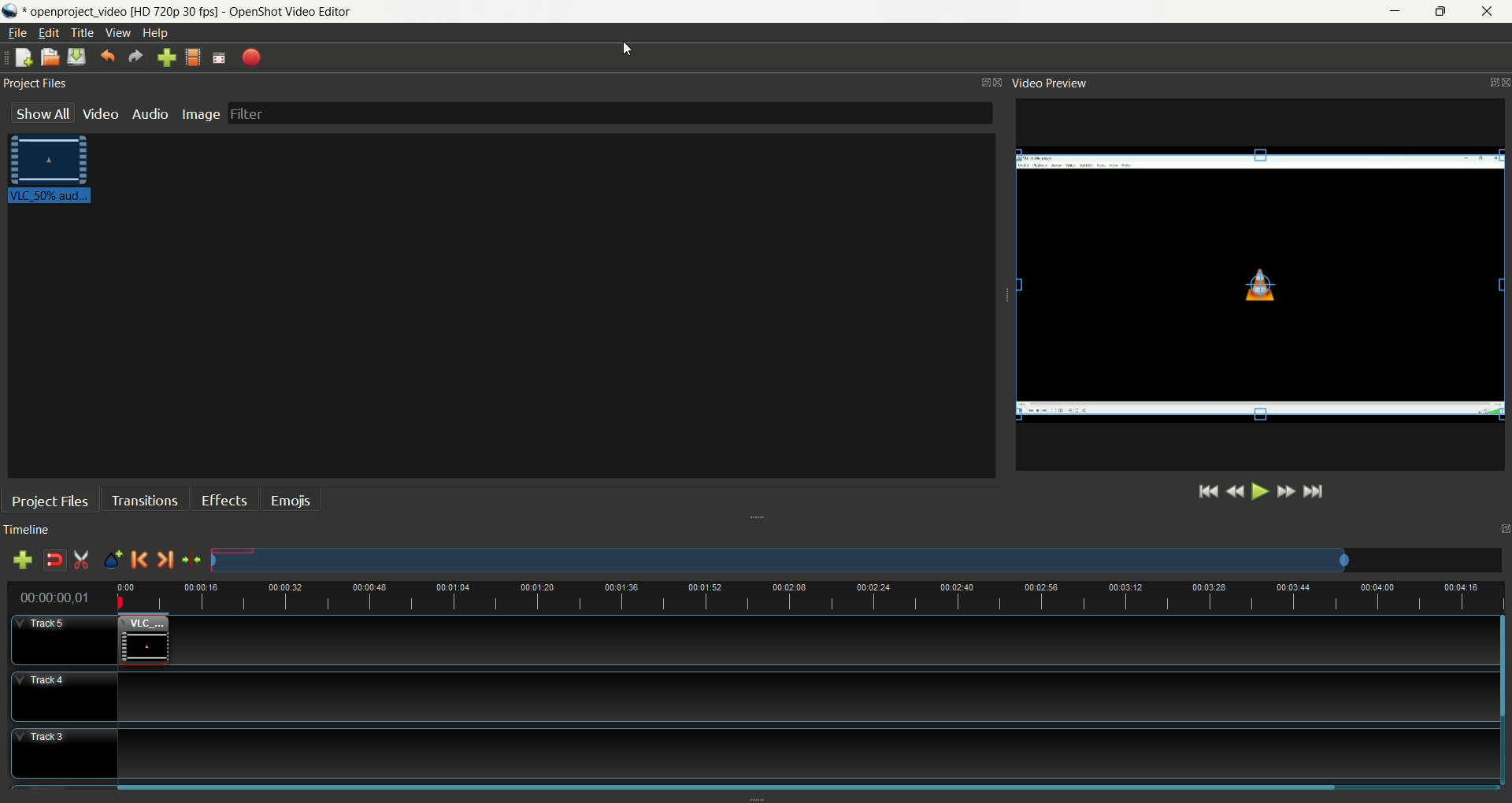  I want to click on help, so click(155, 33).